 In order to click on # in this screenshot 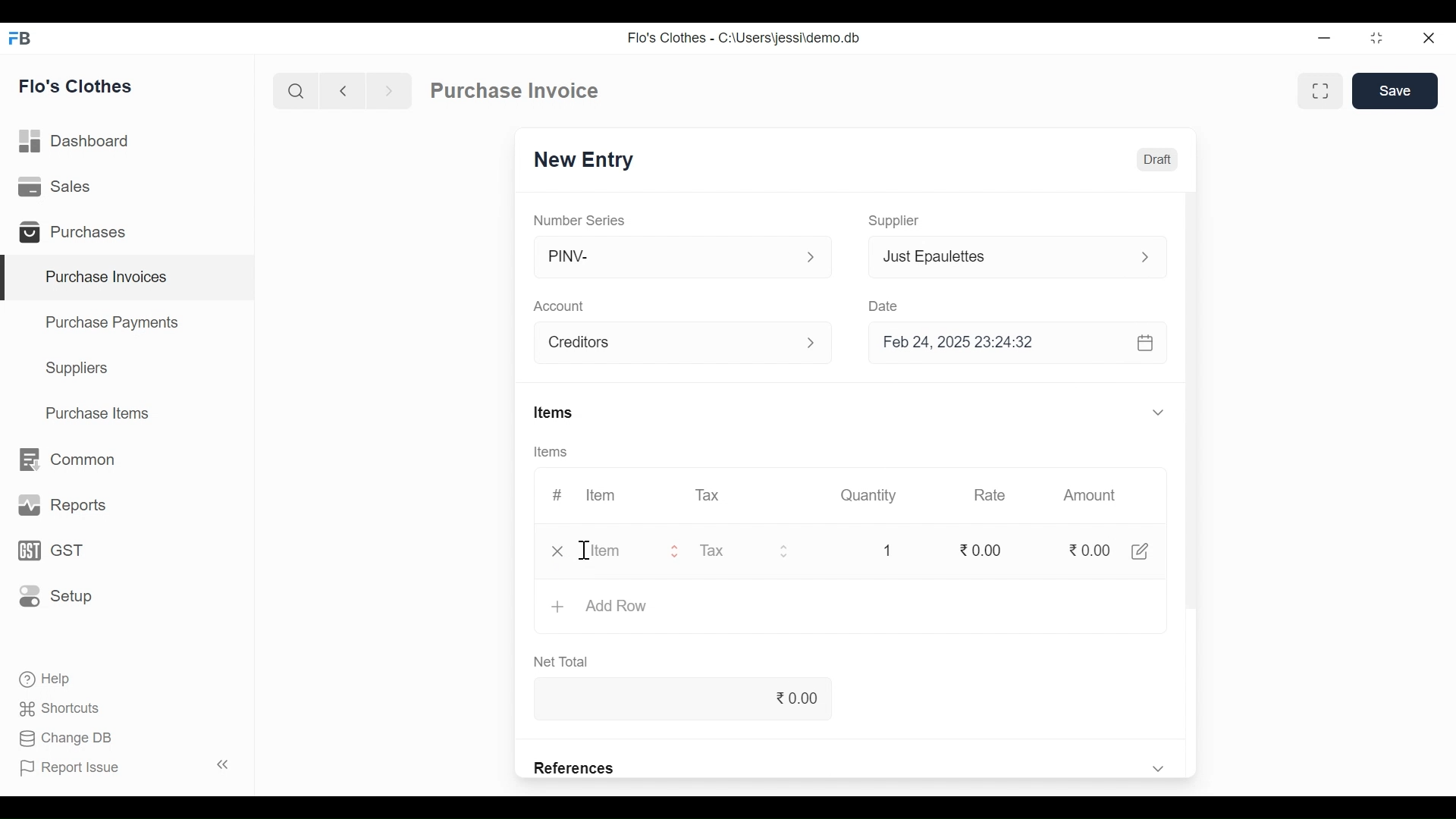, I will do `click(558, 494)`.